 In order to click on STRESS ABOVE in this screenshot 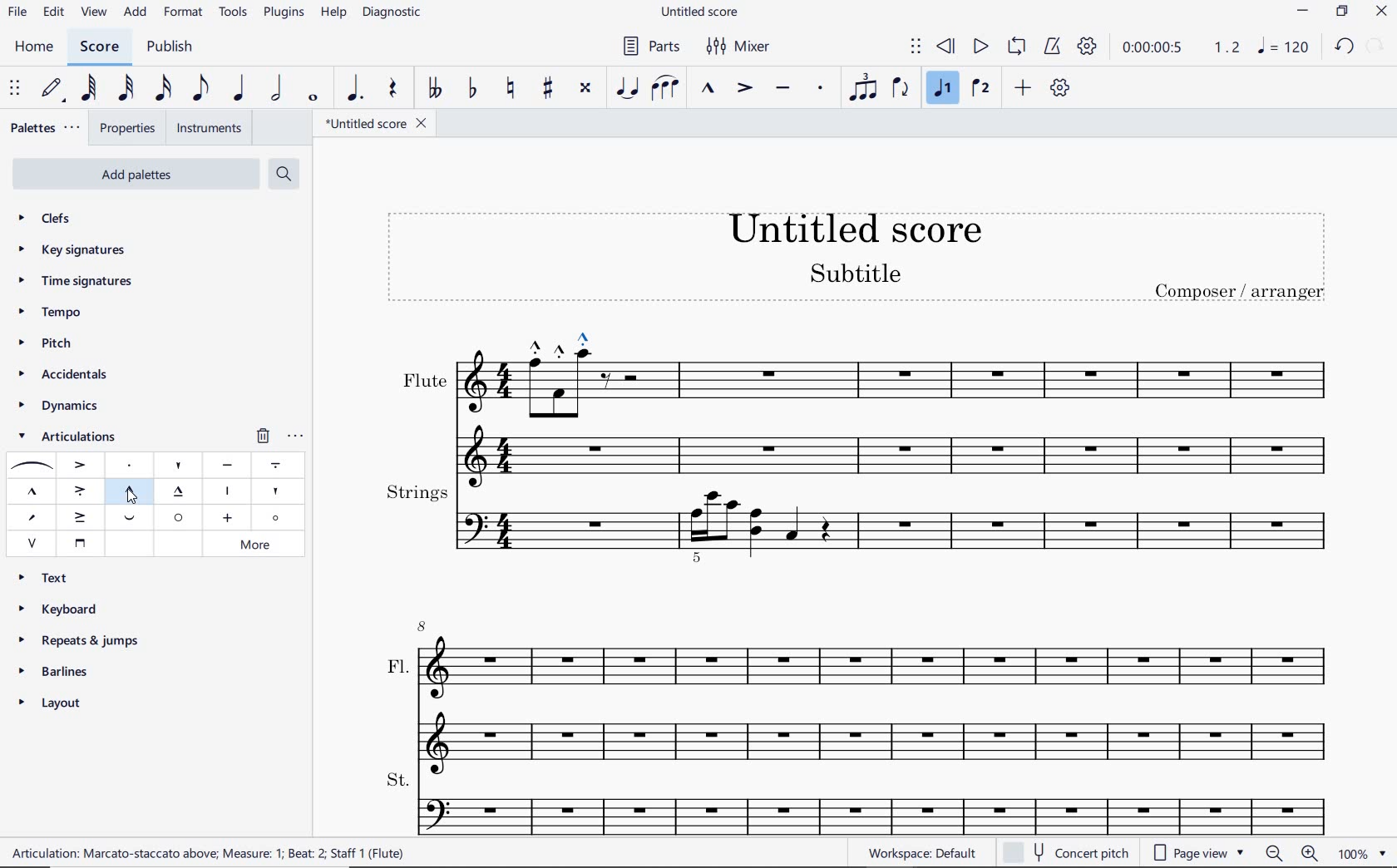, I will do `click(31, 518)`.